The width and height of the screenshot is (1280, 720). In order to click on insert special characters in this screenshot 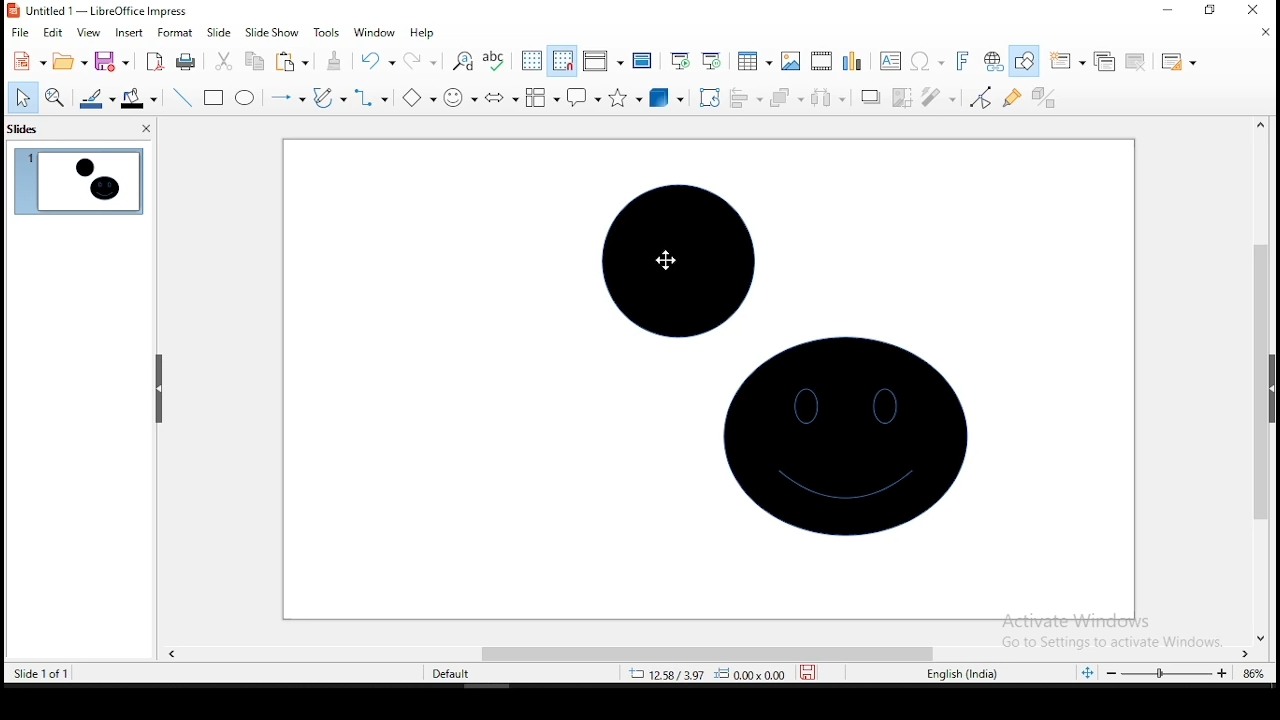, I will do `click(928, 61)`.